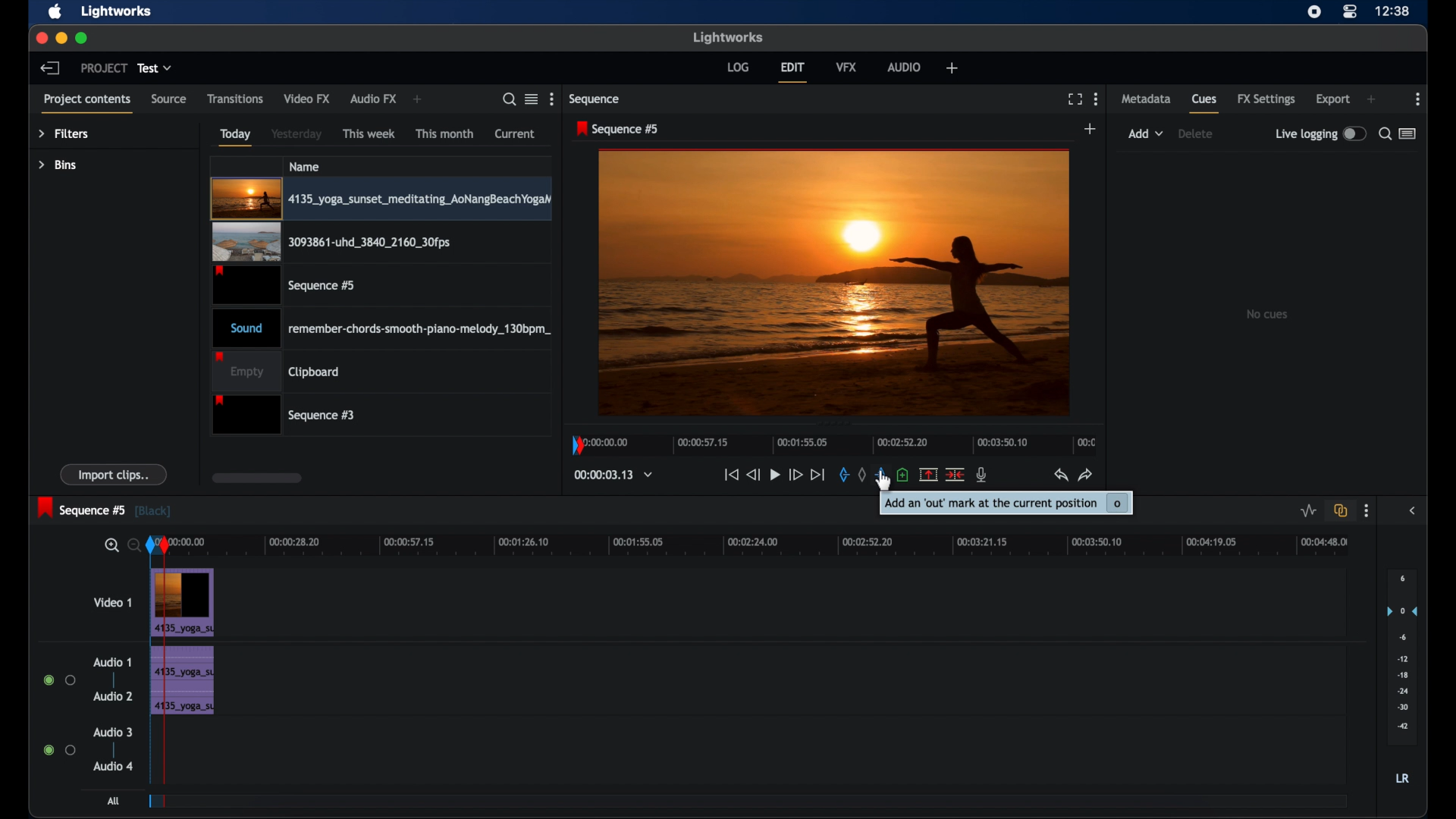 This screenshot has width=1456, height=819. What do you see at coordinates (82, 38) in the screenshot?
I see `maximize` at bounding box center [82, 38].